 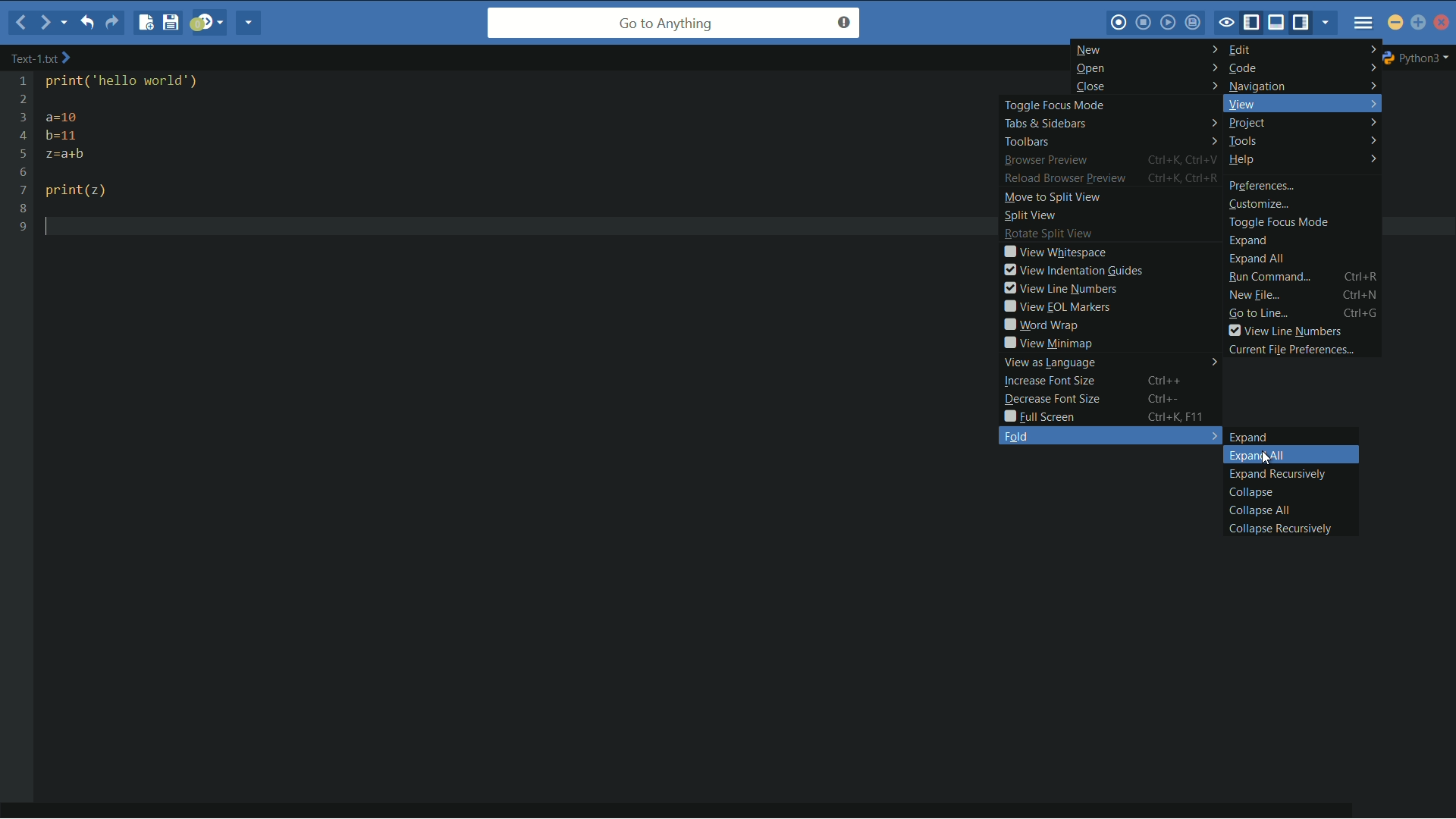 I want to click on collapse, so click(x=1249, y=492).